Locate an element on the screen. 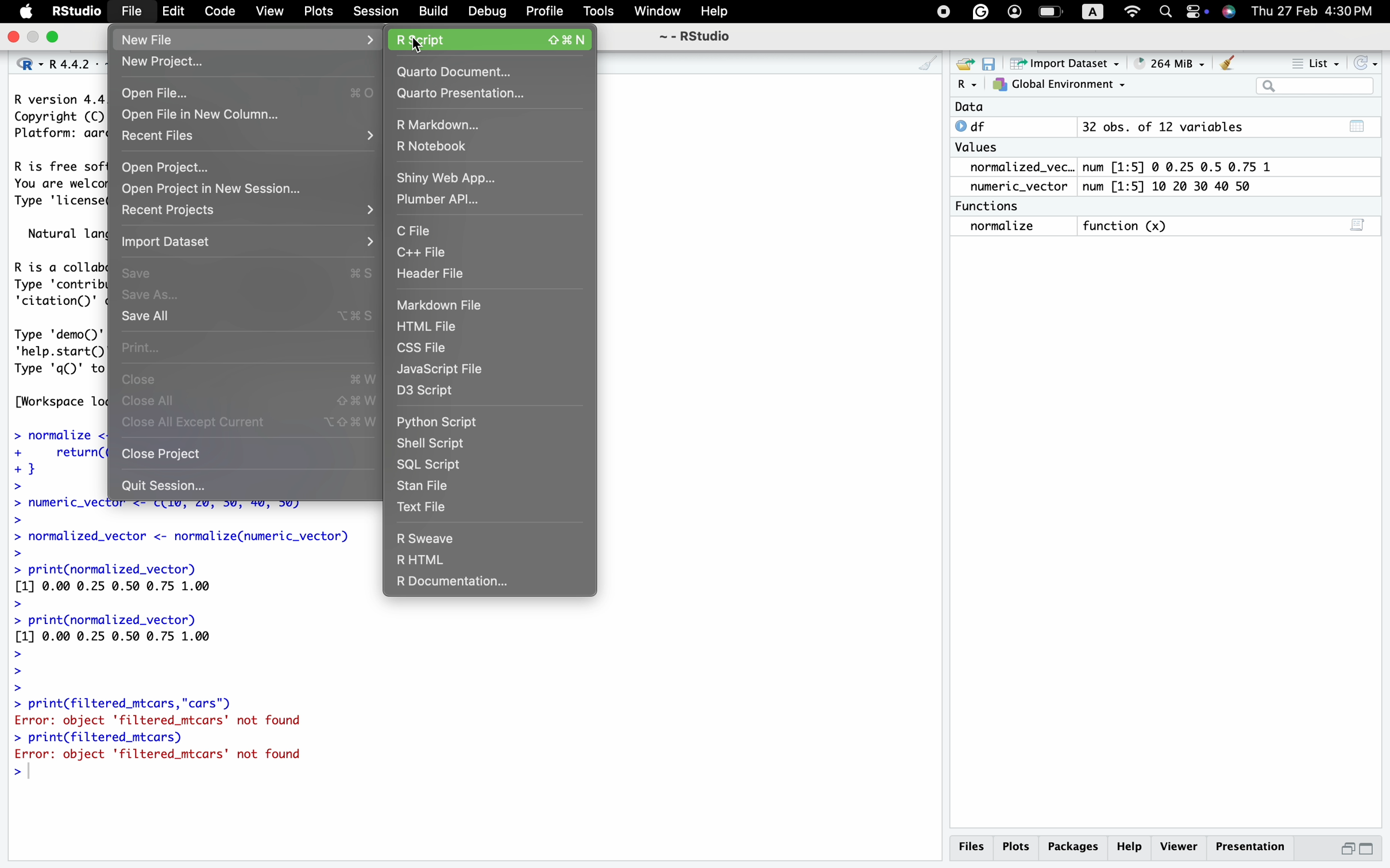 Image resolution: width=1390 pixels, height=868 pixels. apple logo is located at coordinates (19, 12).